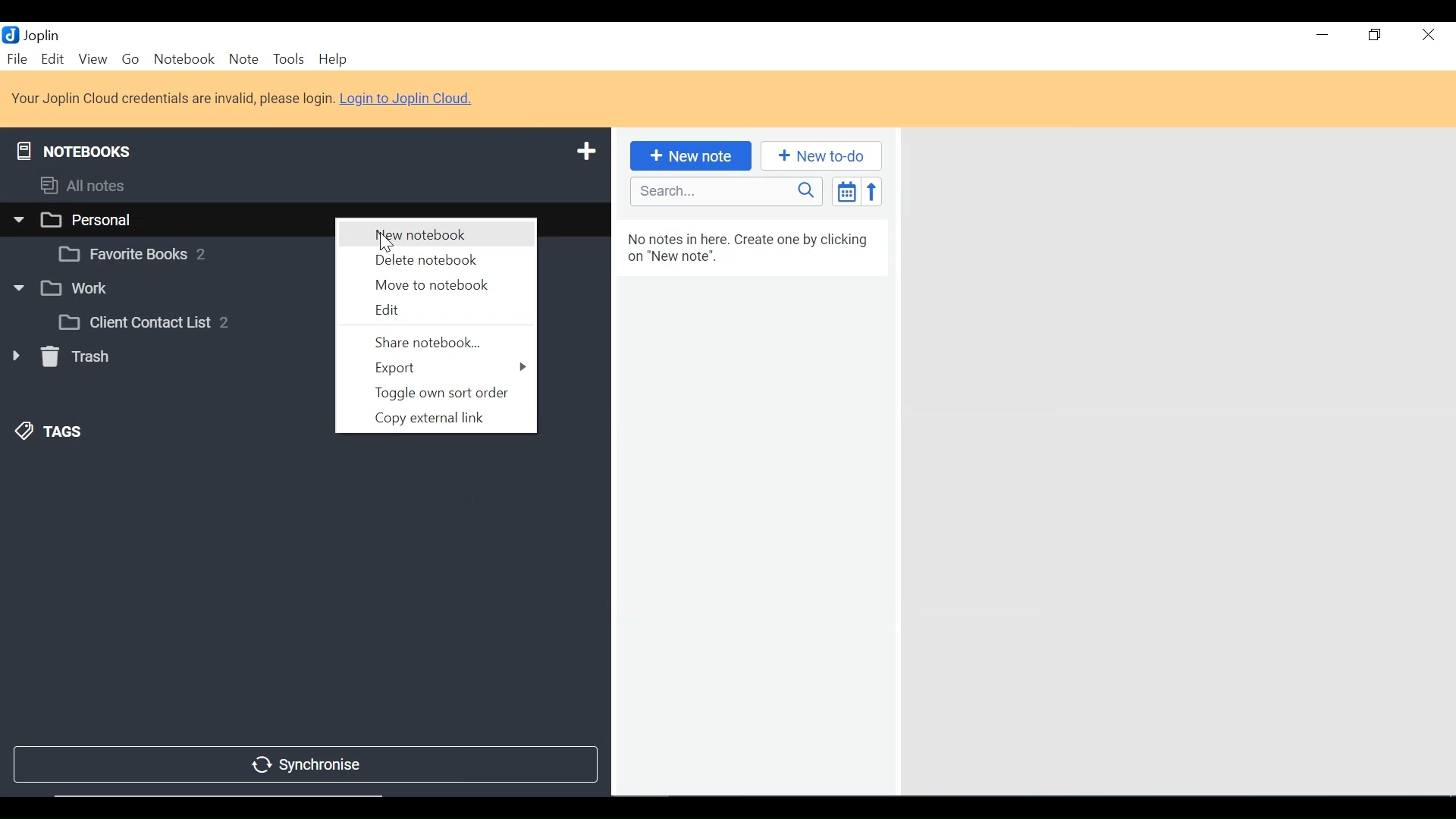 The width and height of the screenshot is (1456, 819). I want to click on Export, so click(438, 369).